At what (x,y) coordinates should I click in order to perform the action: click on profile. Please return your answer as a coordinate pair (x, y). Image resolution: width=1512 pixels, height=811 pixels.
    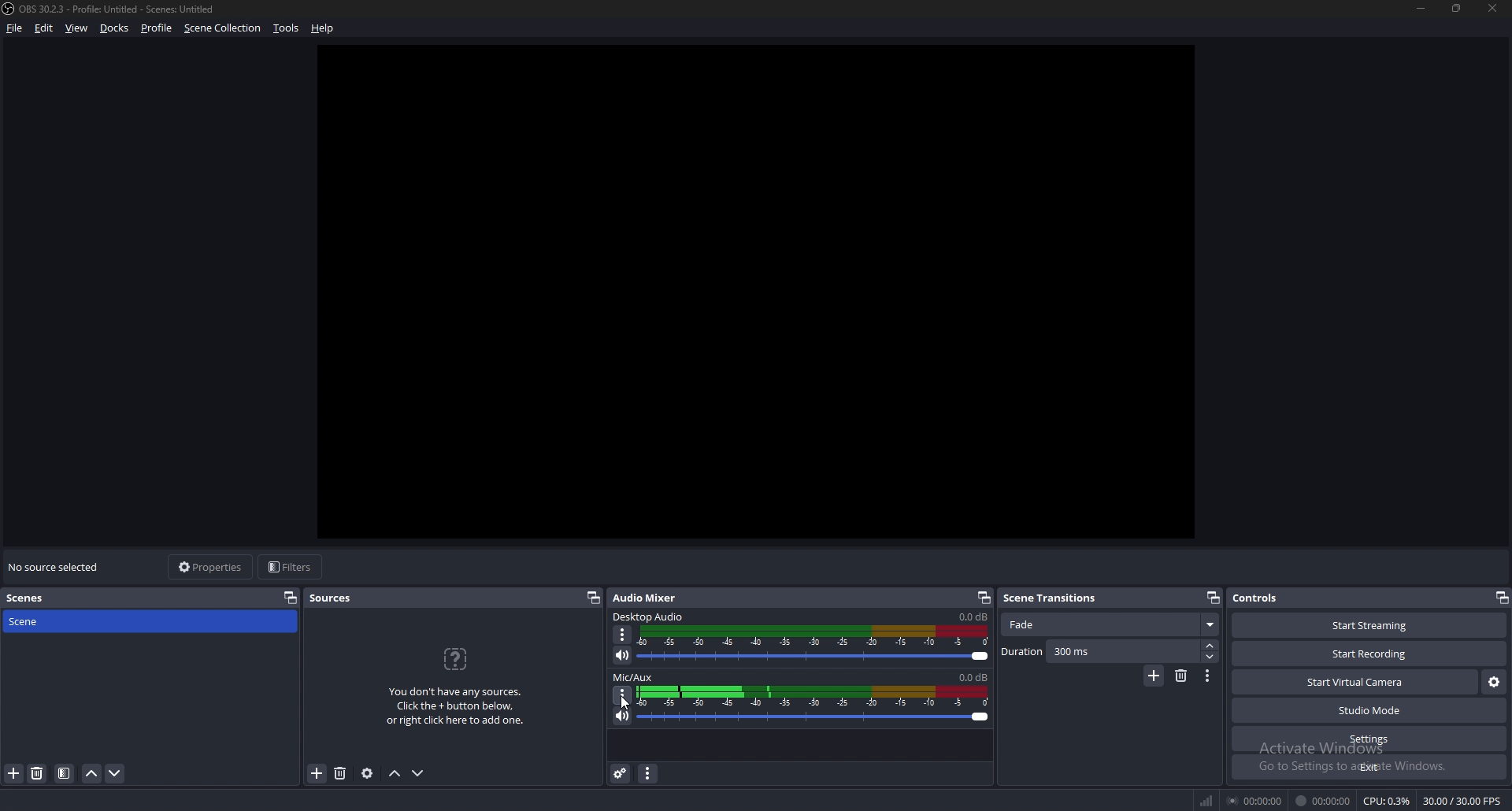
    Looking at the image, I should click on (157, 29).